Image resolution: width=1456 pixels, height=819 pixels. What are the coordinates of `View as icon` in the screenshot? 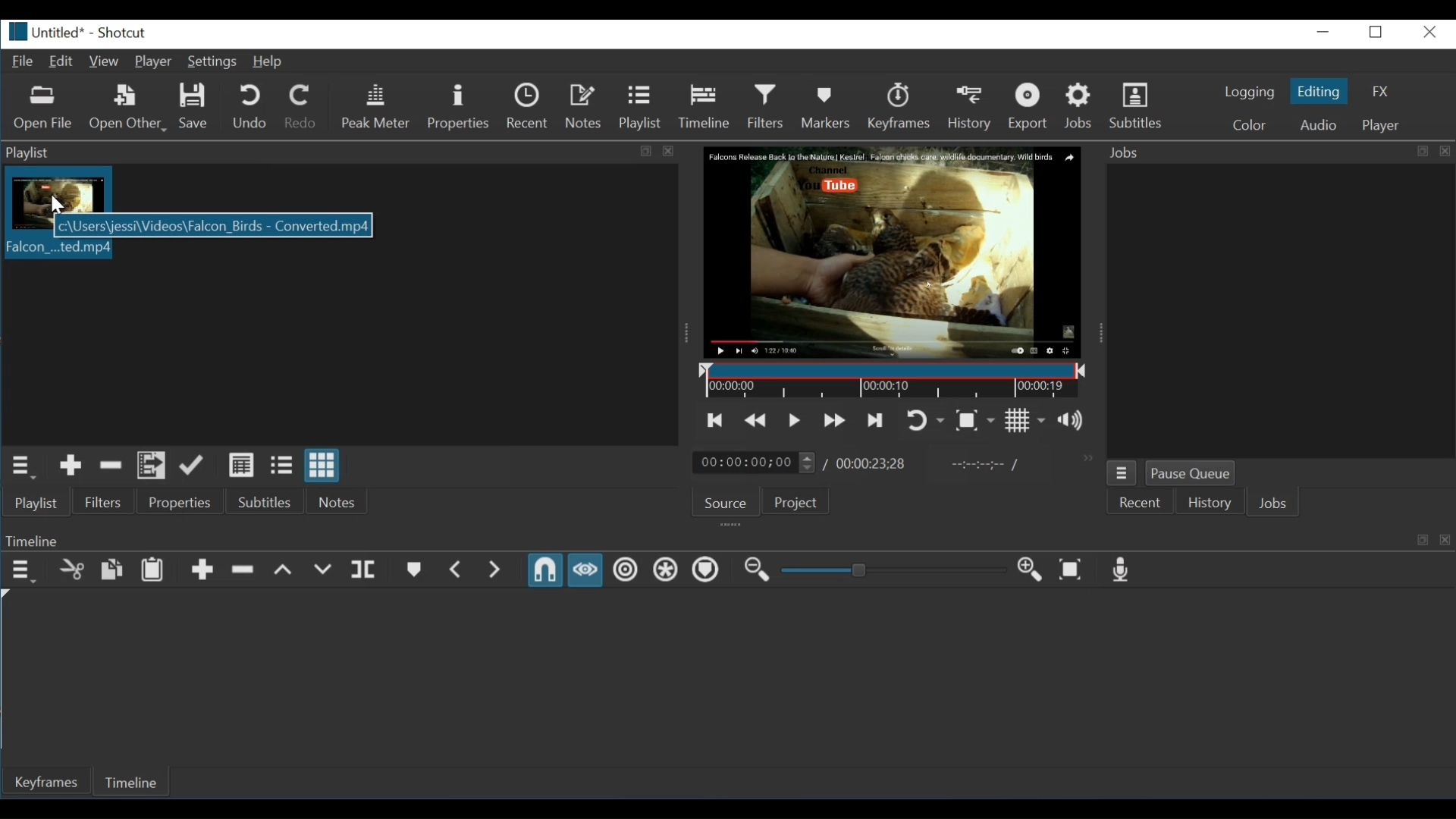 It's located at (324, 465).